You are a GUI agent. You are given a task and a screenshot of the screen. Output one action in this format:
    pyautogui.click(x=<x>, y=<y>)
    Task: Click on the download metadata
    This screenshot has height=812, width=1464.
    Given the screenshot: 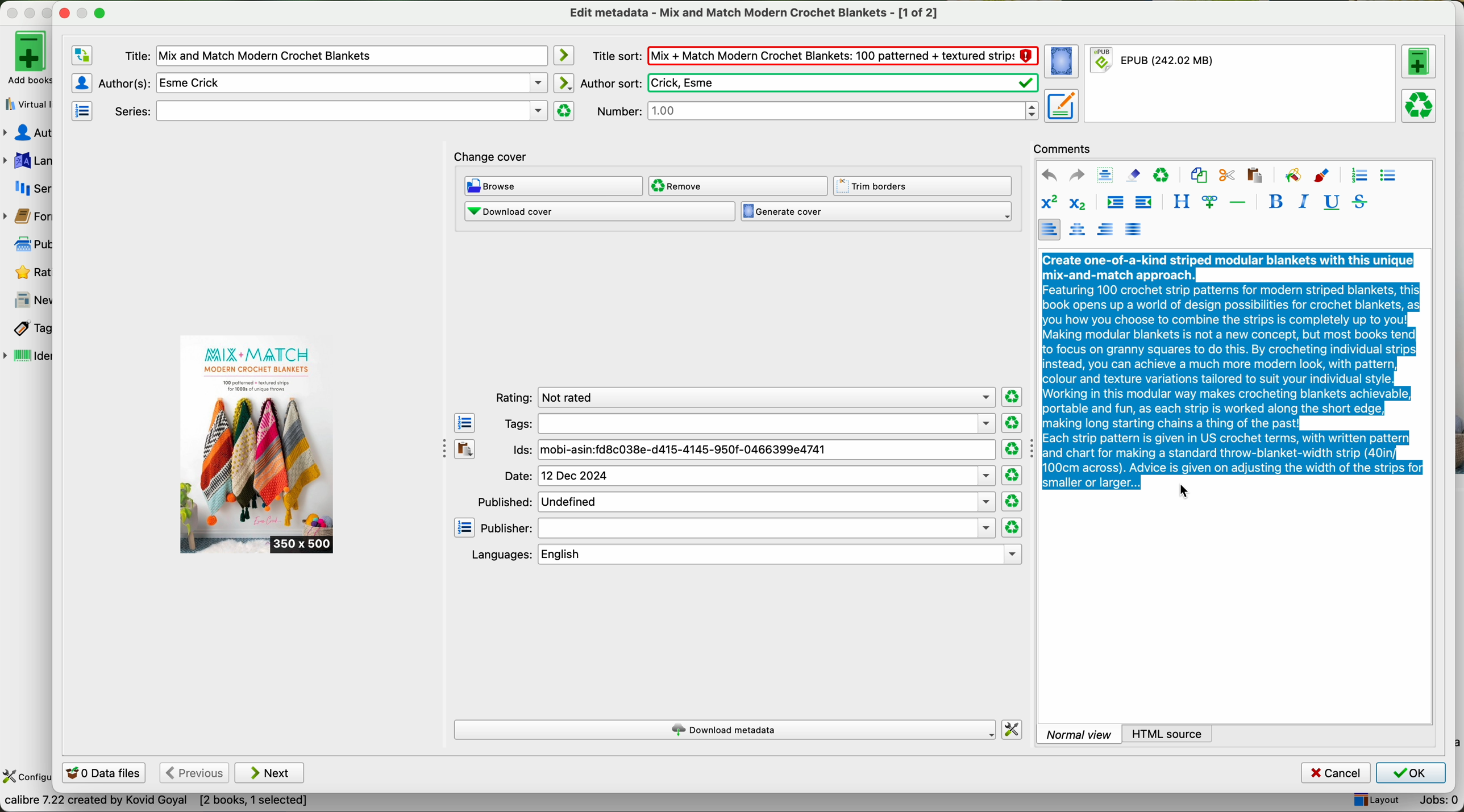 What is the action you would take?
    pyautogui.click(x=726, y=731)
    